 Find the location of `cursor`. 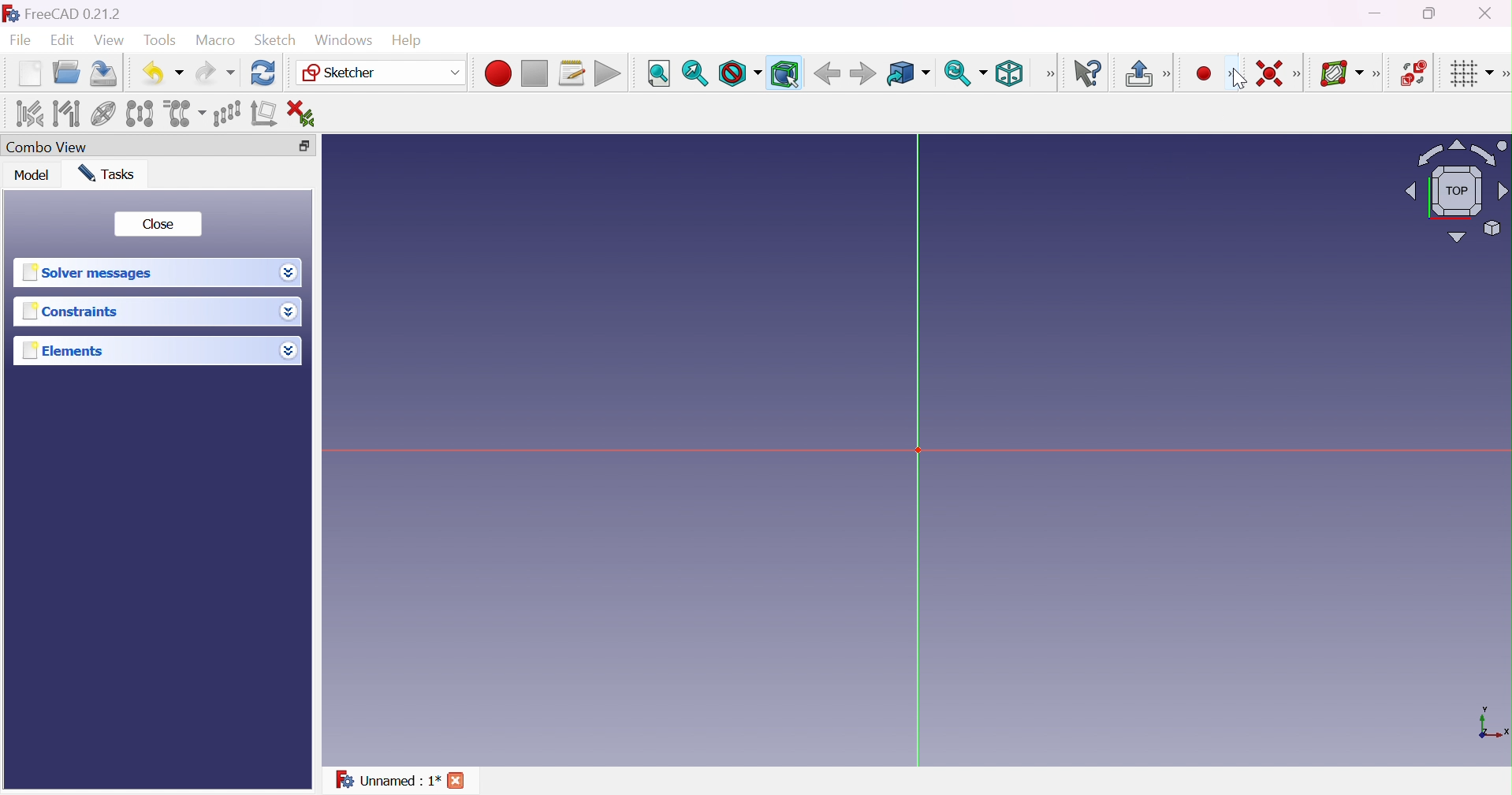

cursor is located at coordinates (1235, 80).